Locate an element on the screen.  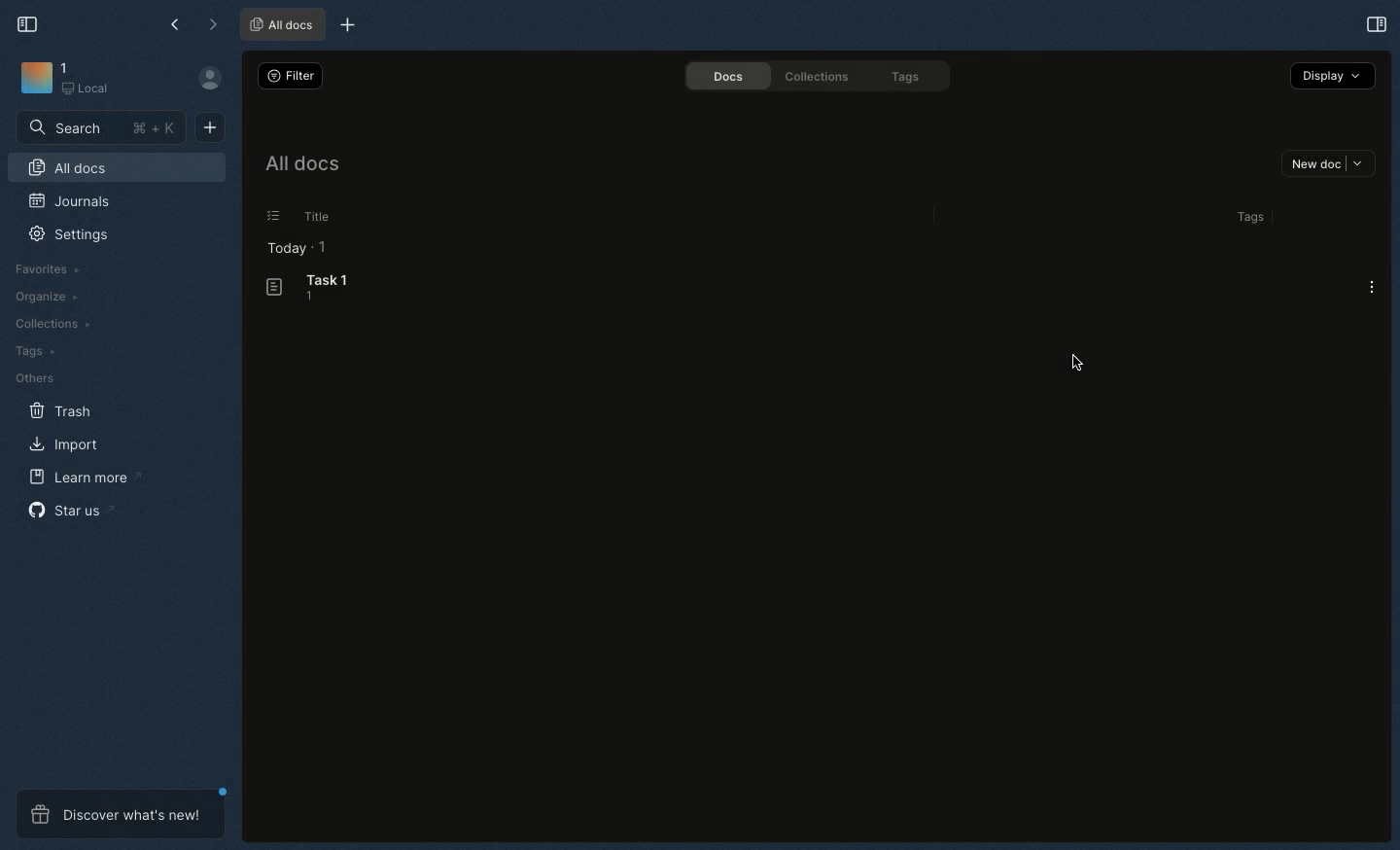
Cursor is located at coordinates (1079, 363).